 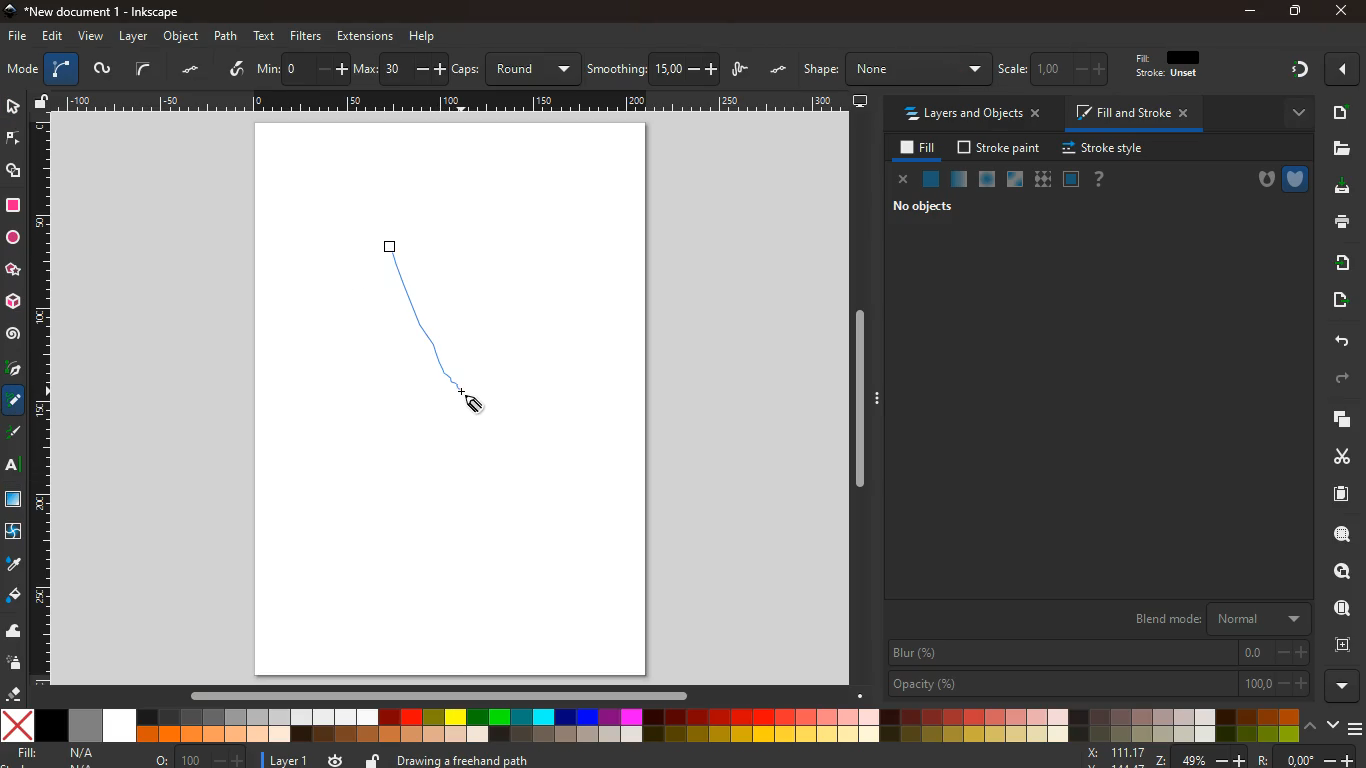 What do you see at coordinates (919, 149) in the screenshot?
I see `fill` at bounding box center [919, 149].